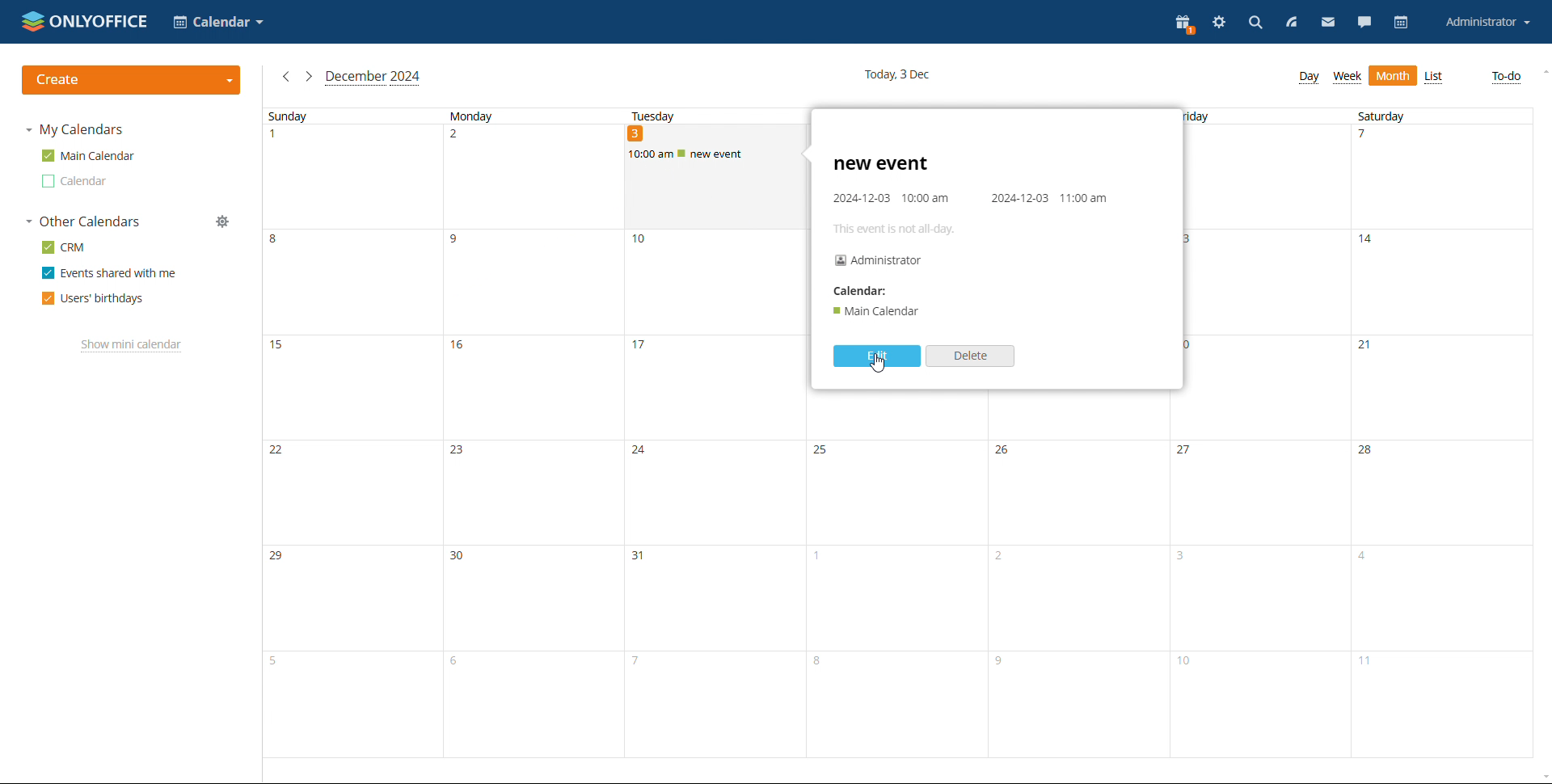 The image size is (1552, 784). I want to click on 10, so click(1261, 705).